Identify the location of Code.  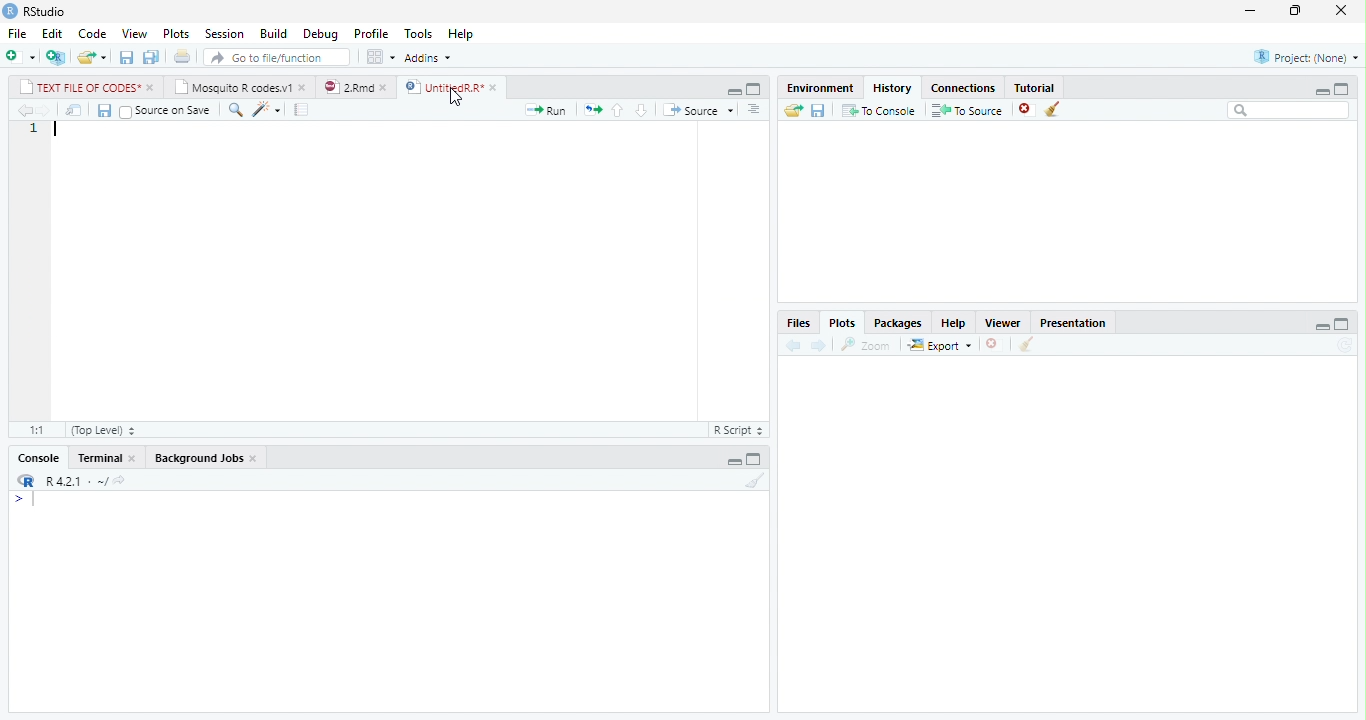
(92, 34).